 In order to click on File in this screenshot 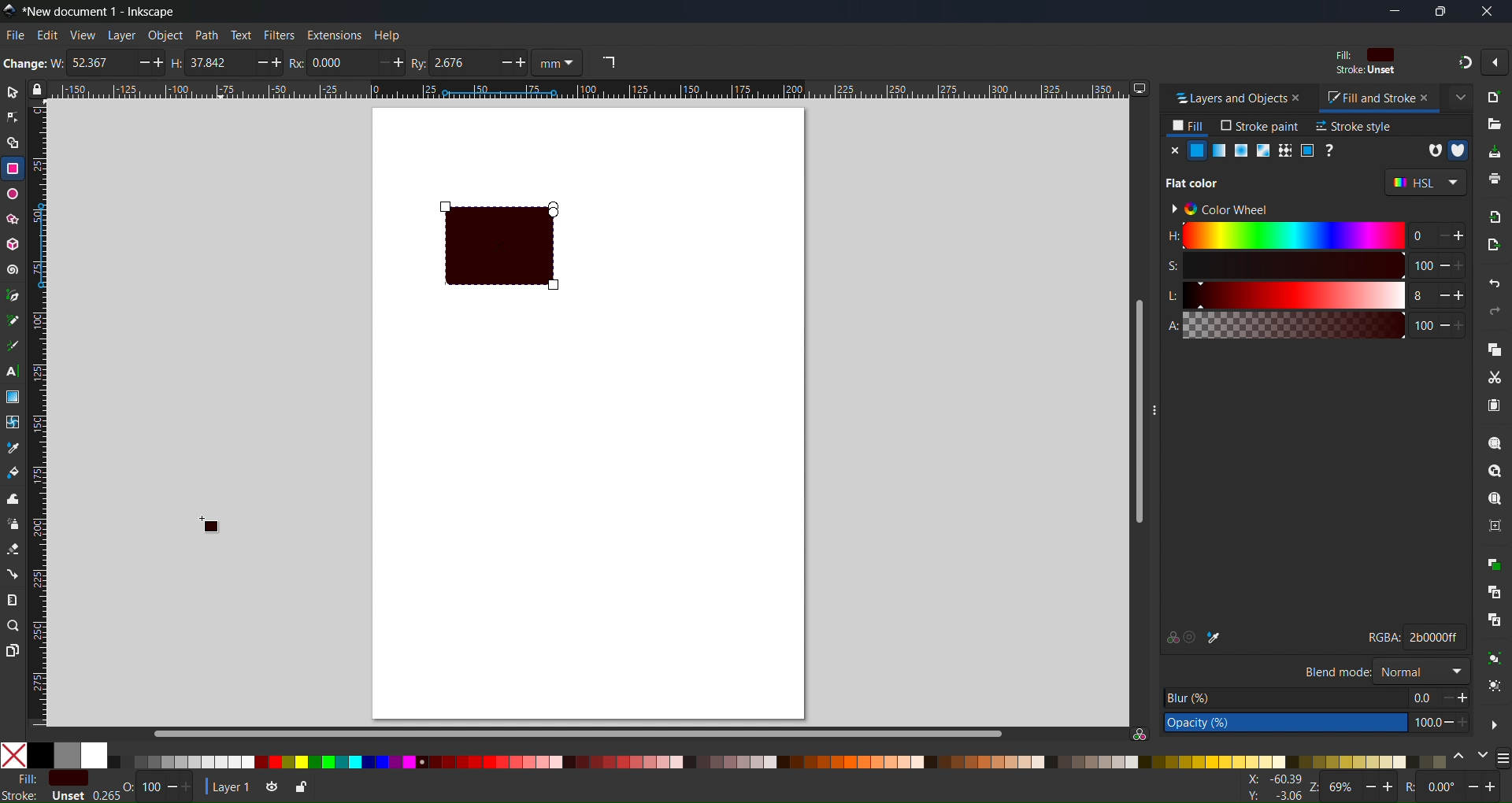, I will do `click(14, 35)`.